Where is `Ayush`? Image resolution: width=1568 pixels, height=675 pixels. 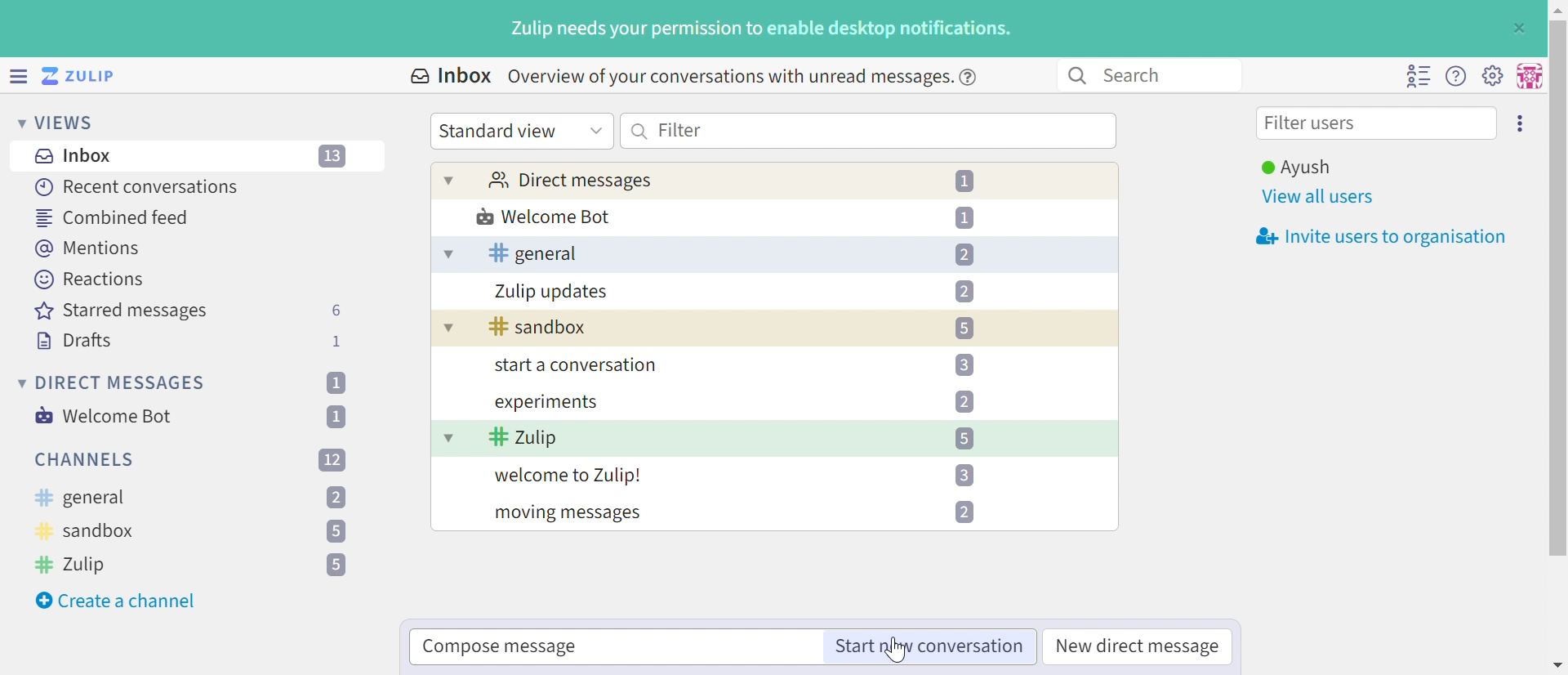
Ayush is located at coordinates (1294, 168).